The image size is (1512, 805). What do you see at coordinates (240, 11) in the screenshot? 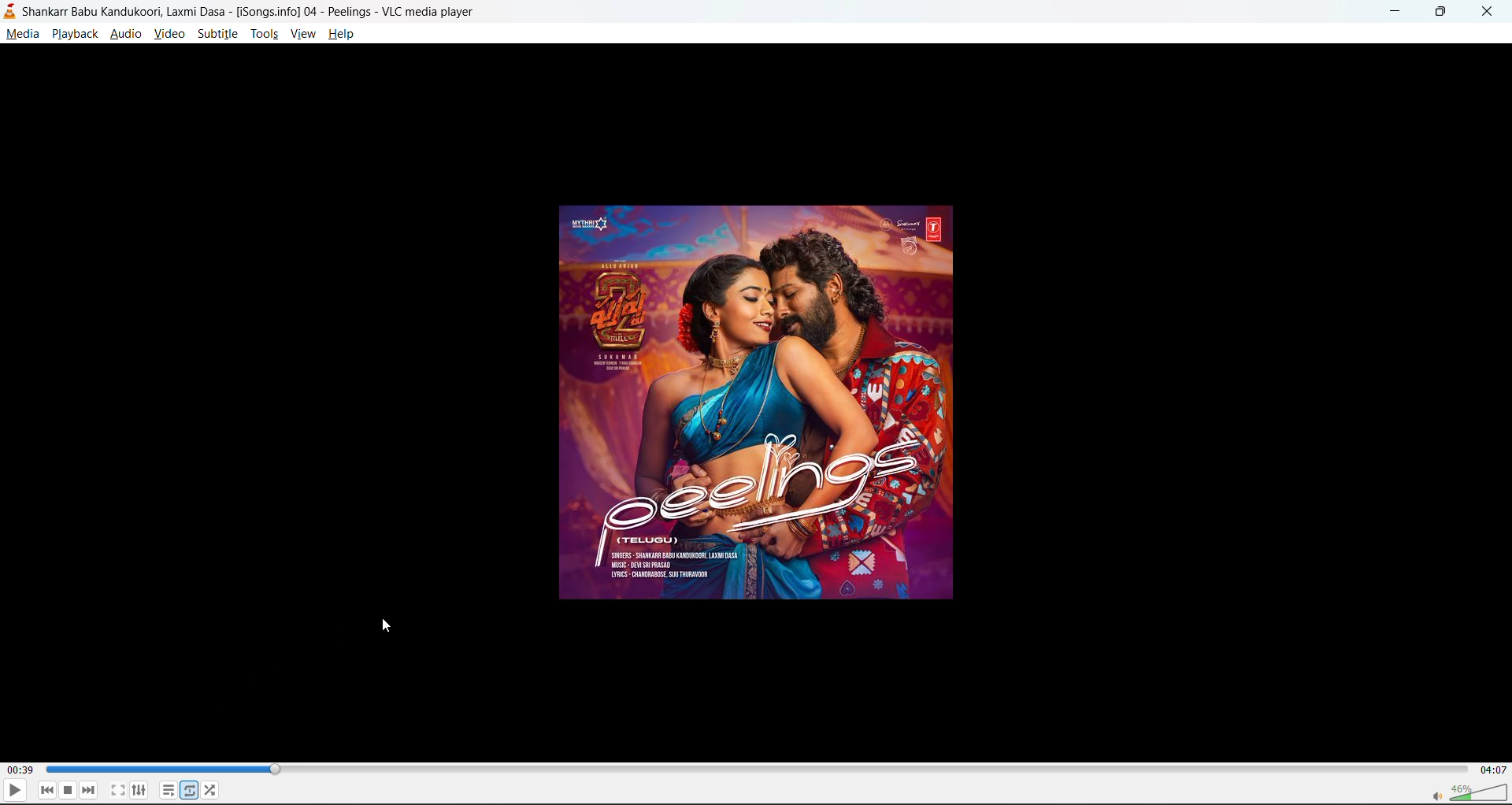
I see `Shankarr Babu Kandukoori, Laxmi Dasa - [iSongs.info] 04 - Peelings - VLC media player` at bounding box center [240, 11].